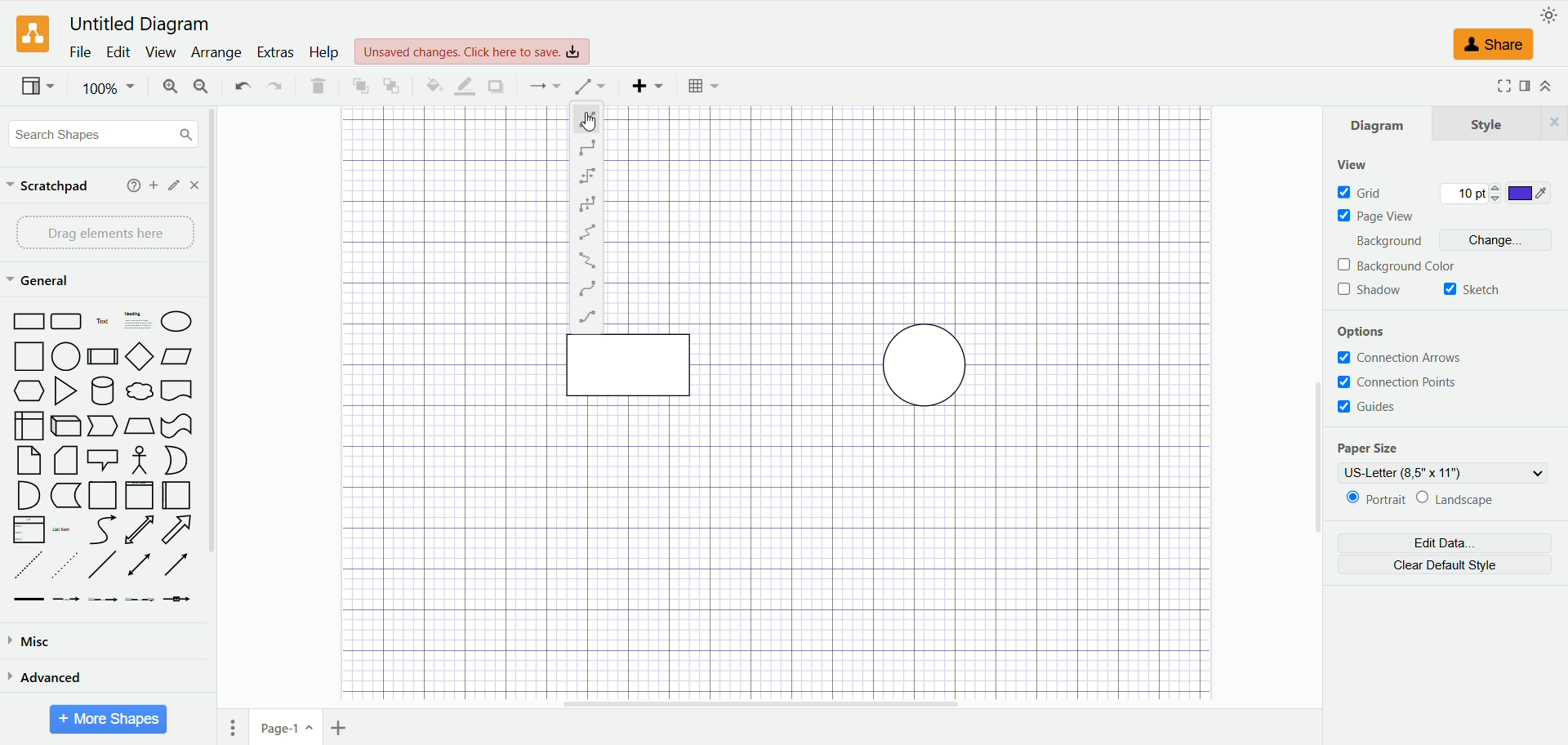 The height and width of the screenshot is (745, 1568). I want to click on Sparsely Dotted Line, so click(65, 564).